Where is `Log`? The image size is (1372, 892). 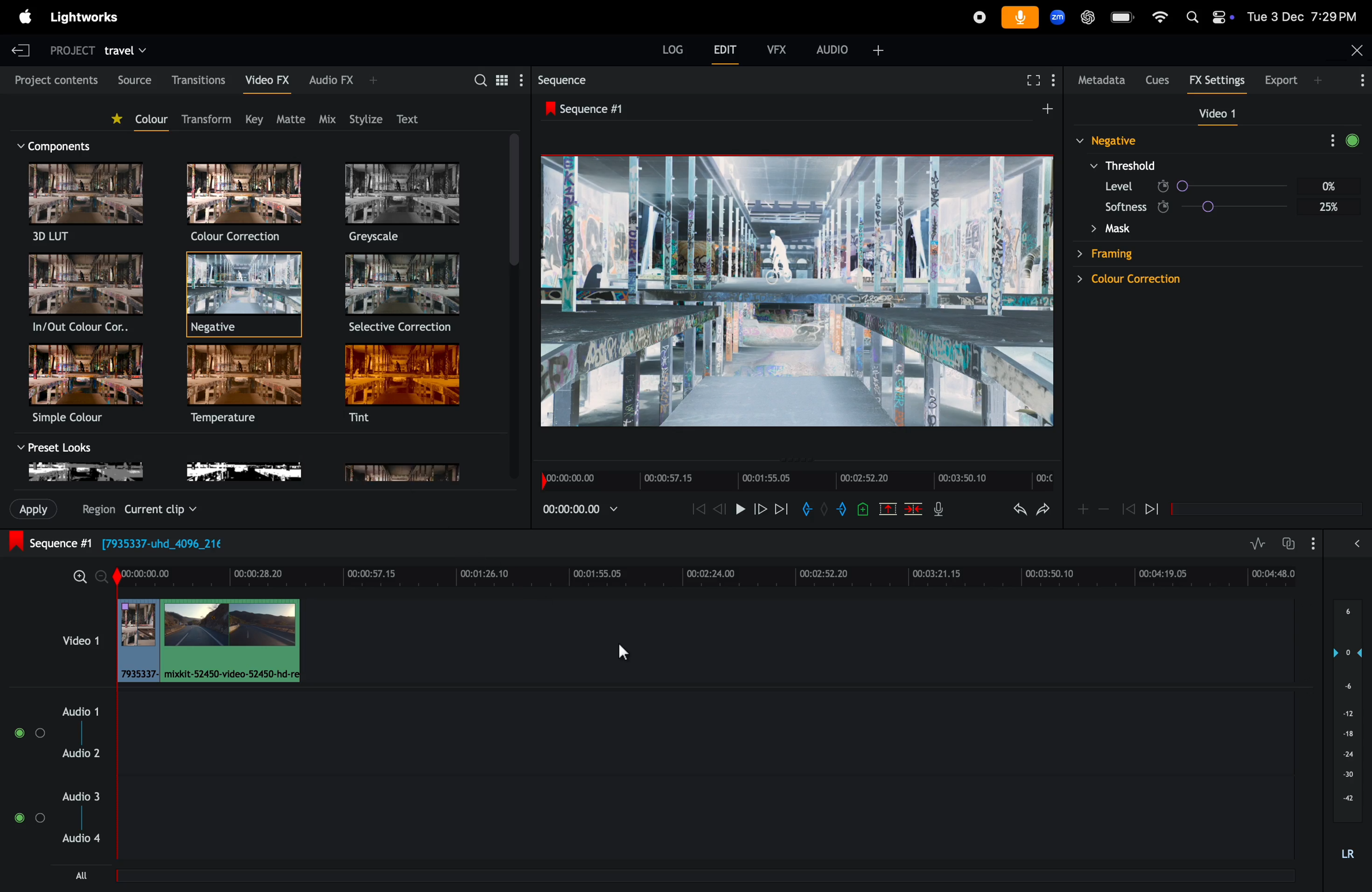
Log is located at coordinates (666, 47).